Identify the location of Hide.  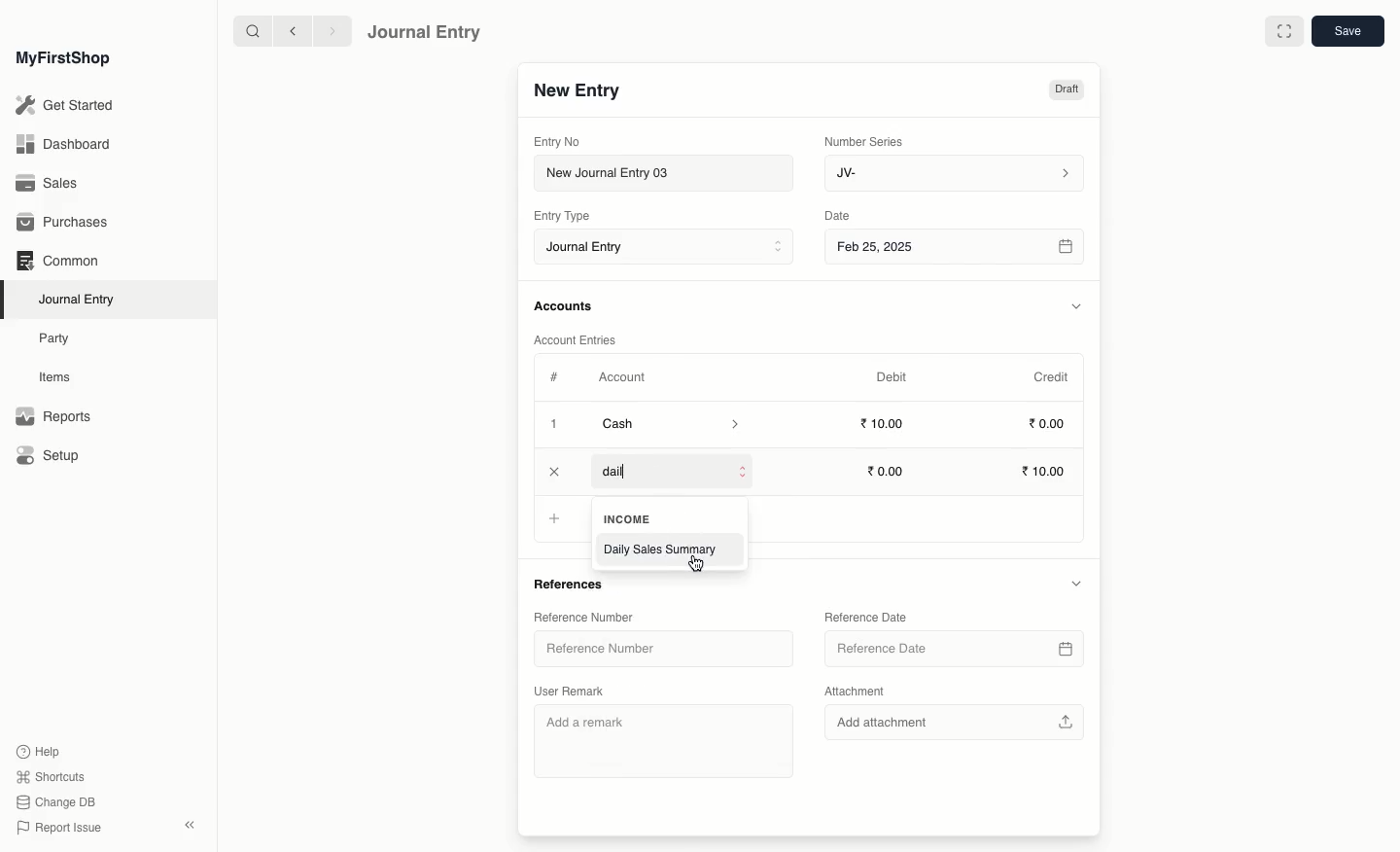
(1075, 583).